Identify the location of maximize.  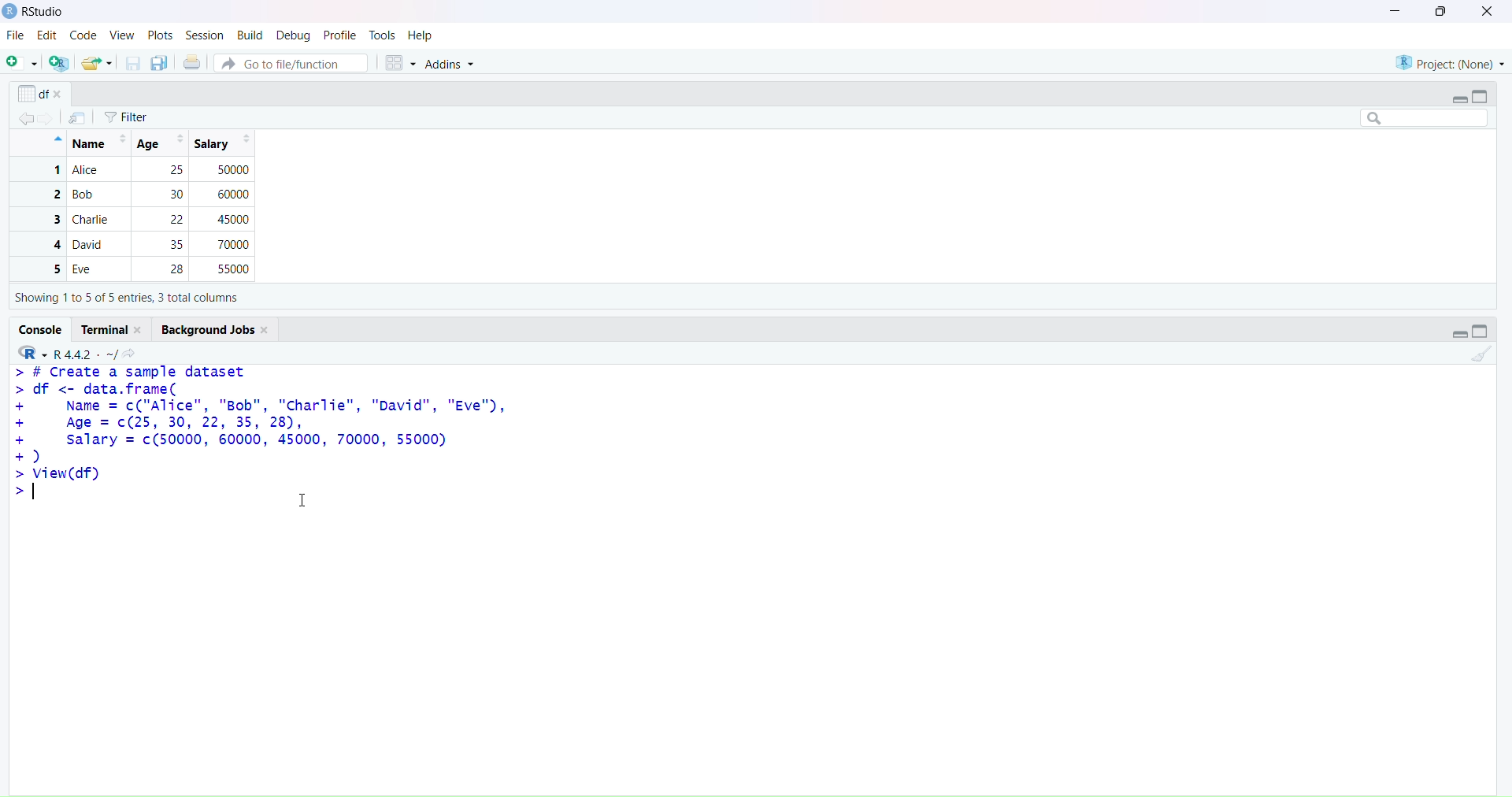
(1447, 12).